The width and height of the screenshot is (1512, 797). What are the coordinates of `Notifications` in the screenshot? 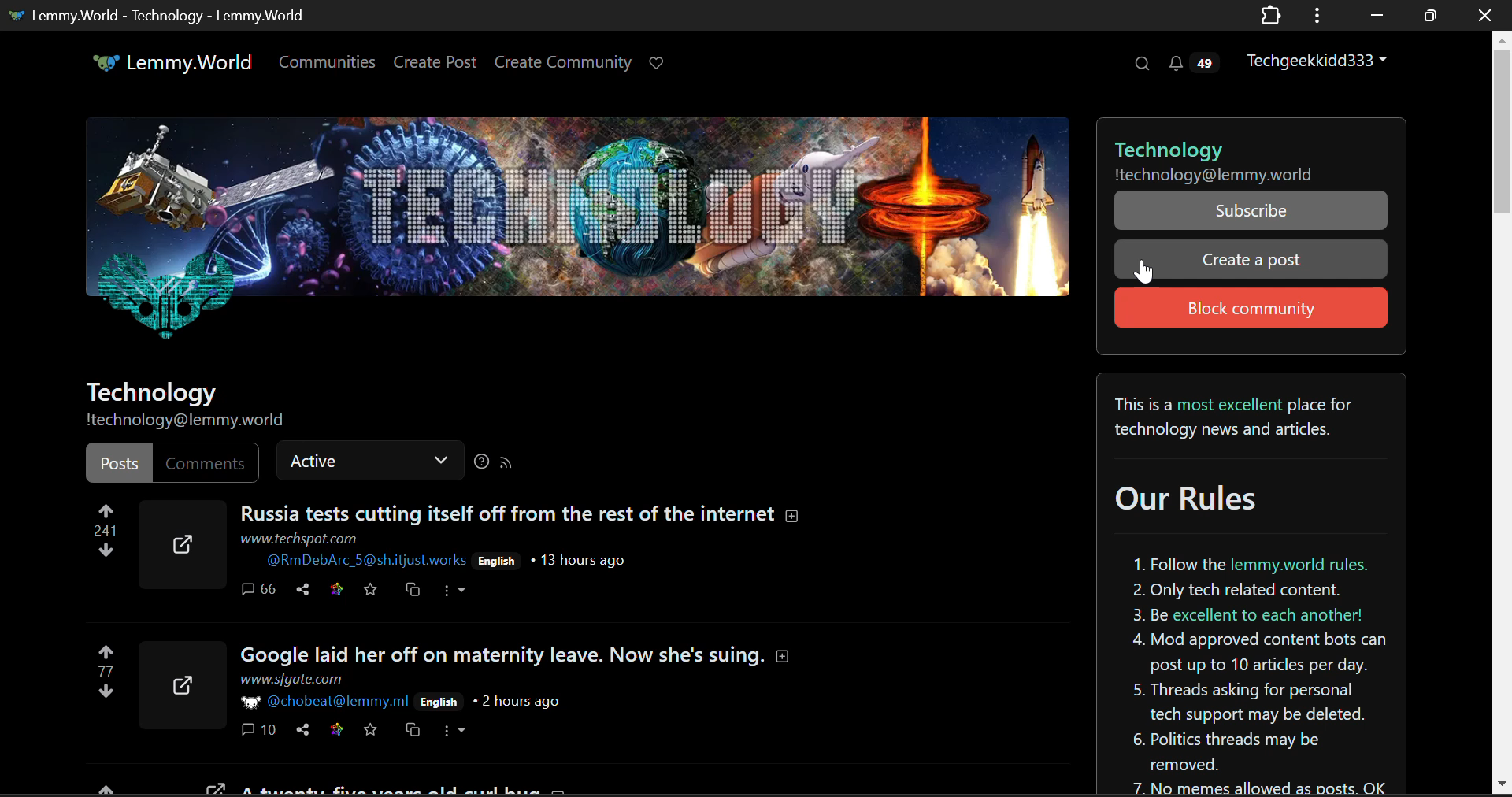 It's located at (1197, 61).